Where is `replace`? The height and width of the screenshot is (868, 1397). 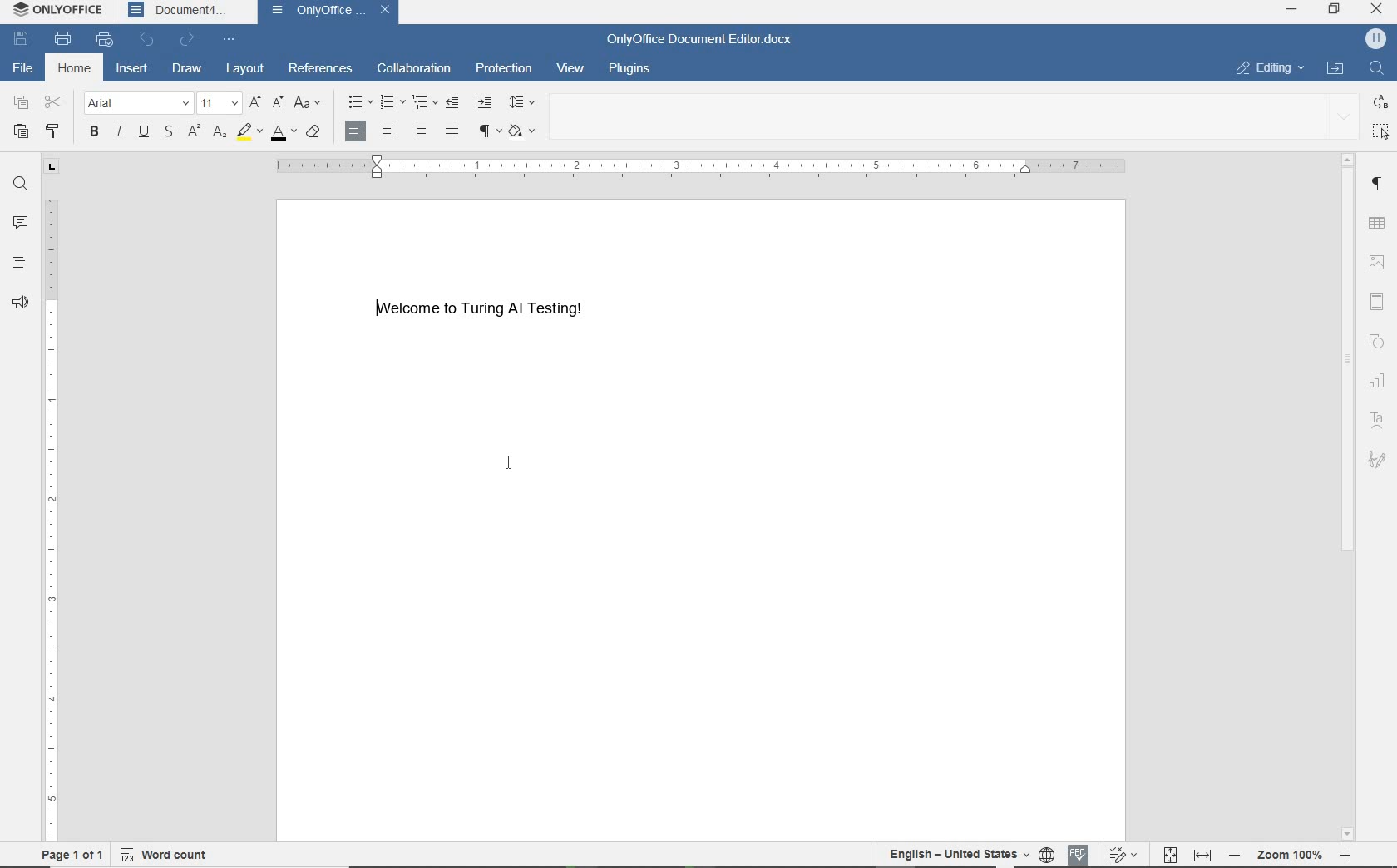 replace is located at coordinates (1382, 102).